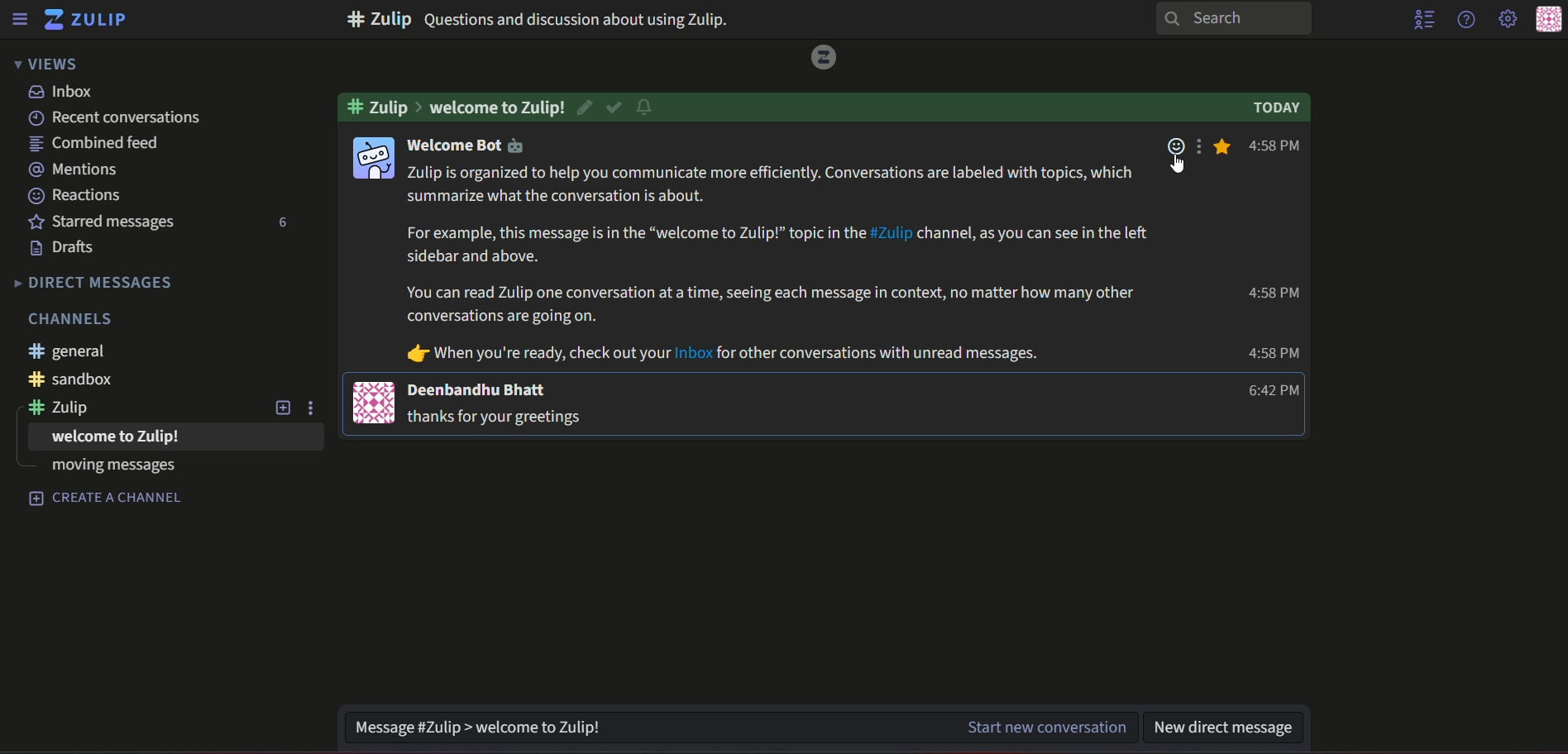 Image resolution: width=1568 pixels, height=754 pixels. I want to click on Zulip is organised to help you communicate more efficiently. Conversations are labelled with topics with summarise what the conversation is about. For example, this message is in the "welcome to Zulip" topic in the #zulip channel, as you can see the left side bar and above. You can read Zulip one conversation at a time, seeing each message in context, no matter how many other conversations are going on, so click(777, 243).